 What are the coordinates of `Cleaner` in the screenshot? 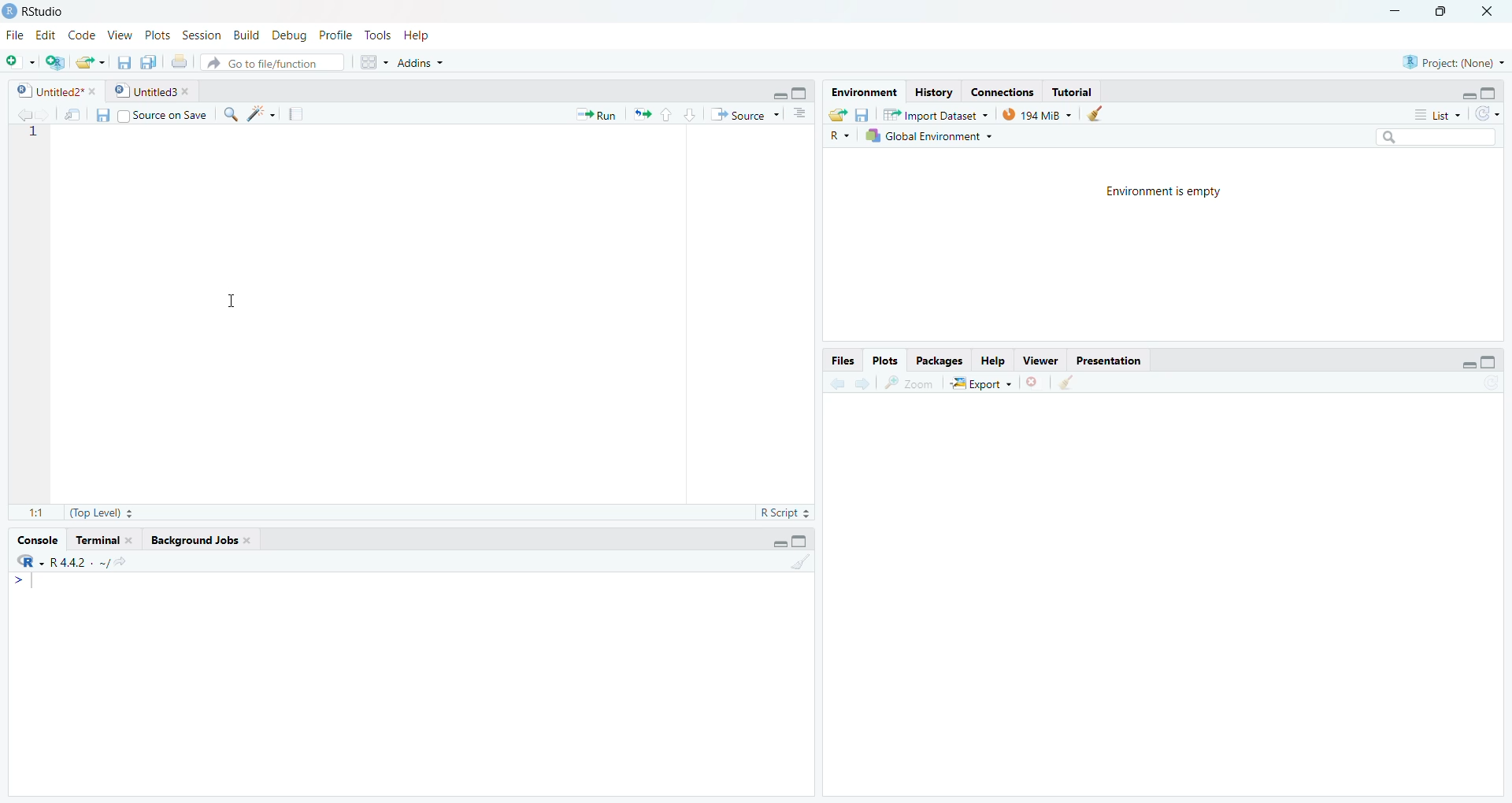 It's located at (800, 564).